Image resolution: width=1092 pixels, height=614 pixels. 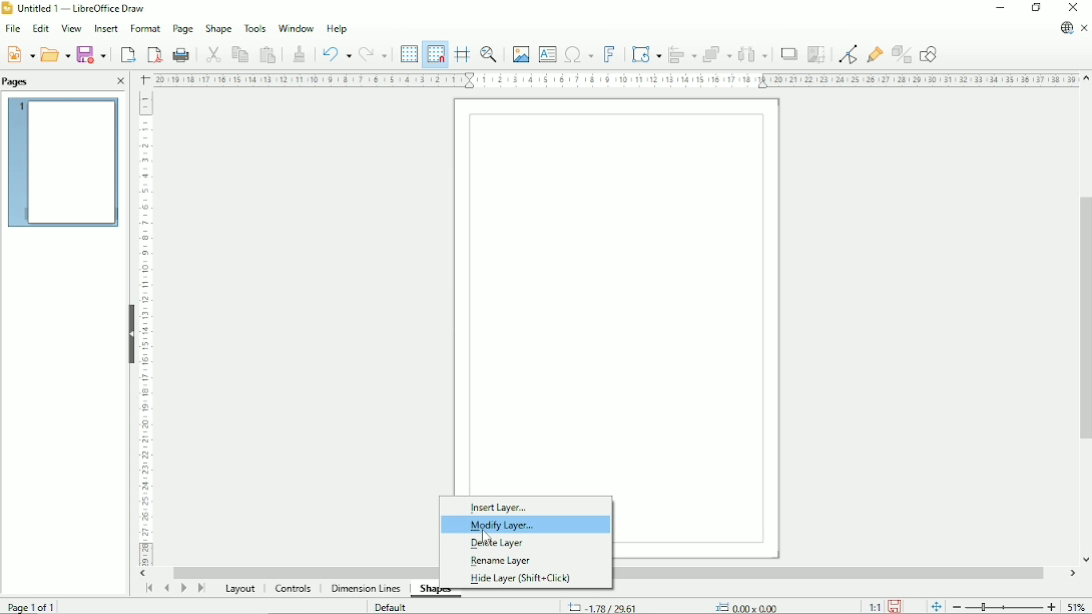 What do you see at coordinates (487, 52) in the screenshot?
I see `Zoom & pan` at bounding box center [487, 52].